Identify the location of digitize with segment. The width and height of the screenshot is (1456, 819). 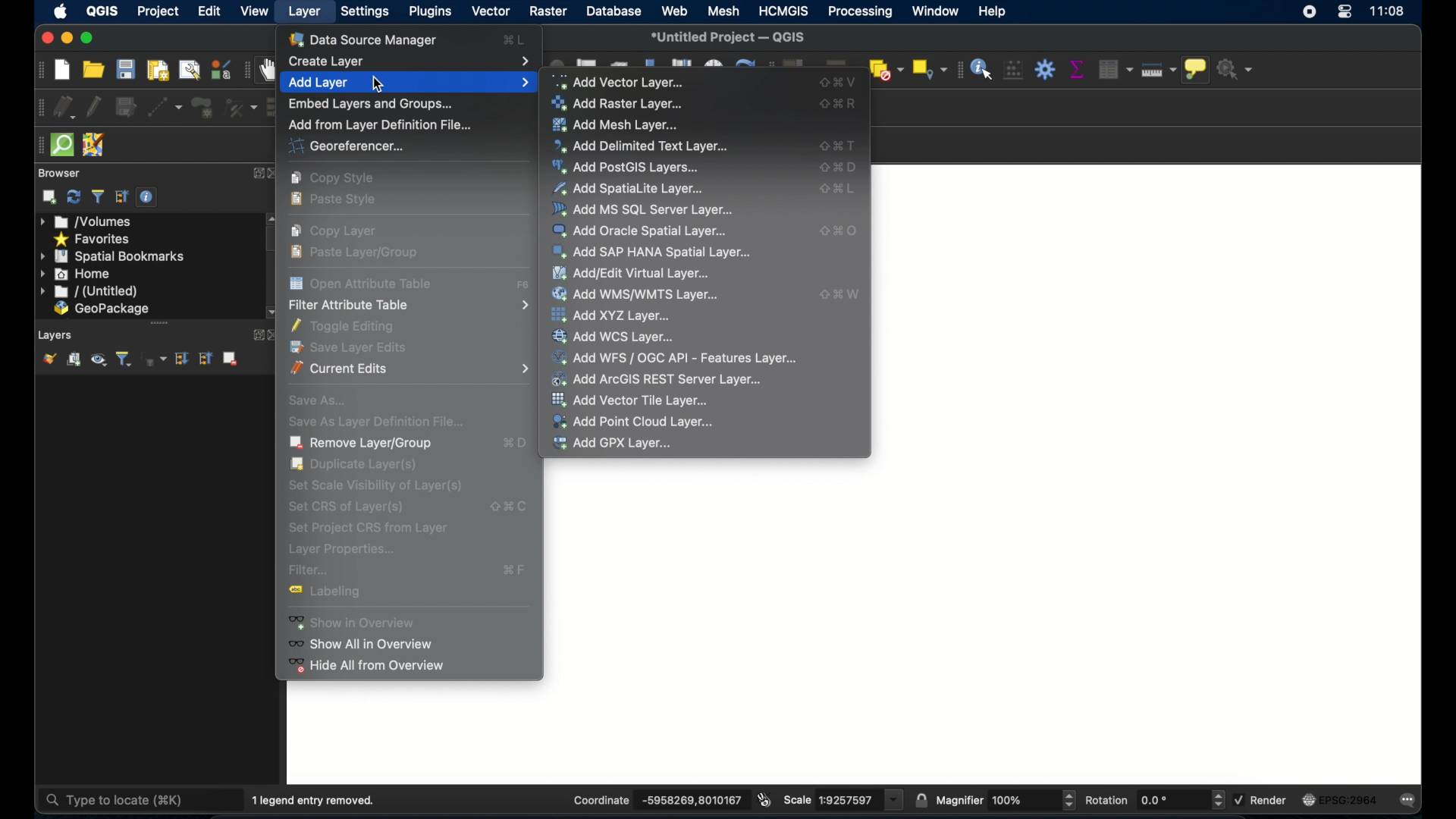
(165, 107).